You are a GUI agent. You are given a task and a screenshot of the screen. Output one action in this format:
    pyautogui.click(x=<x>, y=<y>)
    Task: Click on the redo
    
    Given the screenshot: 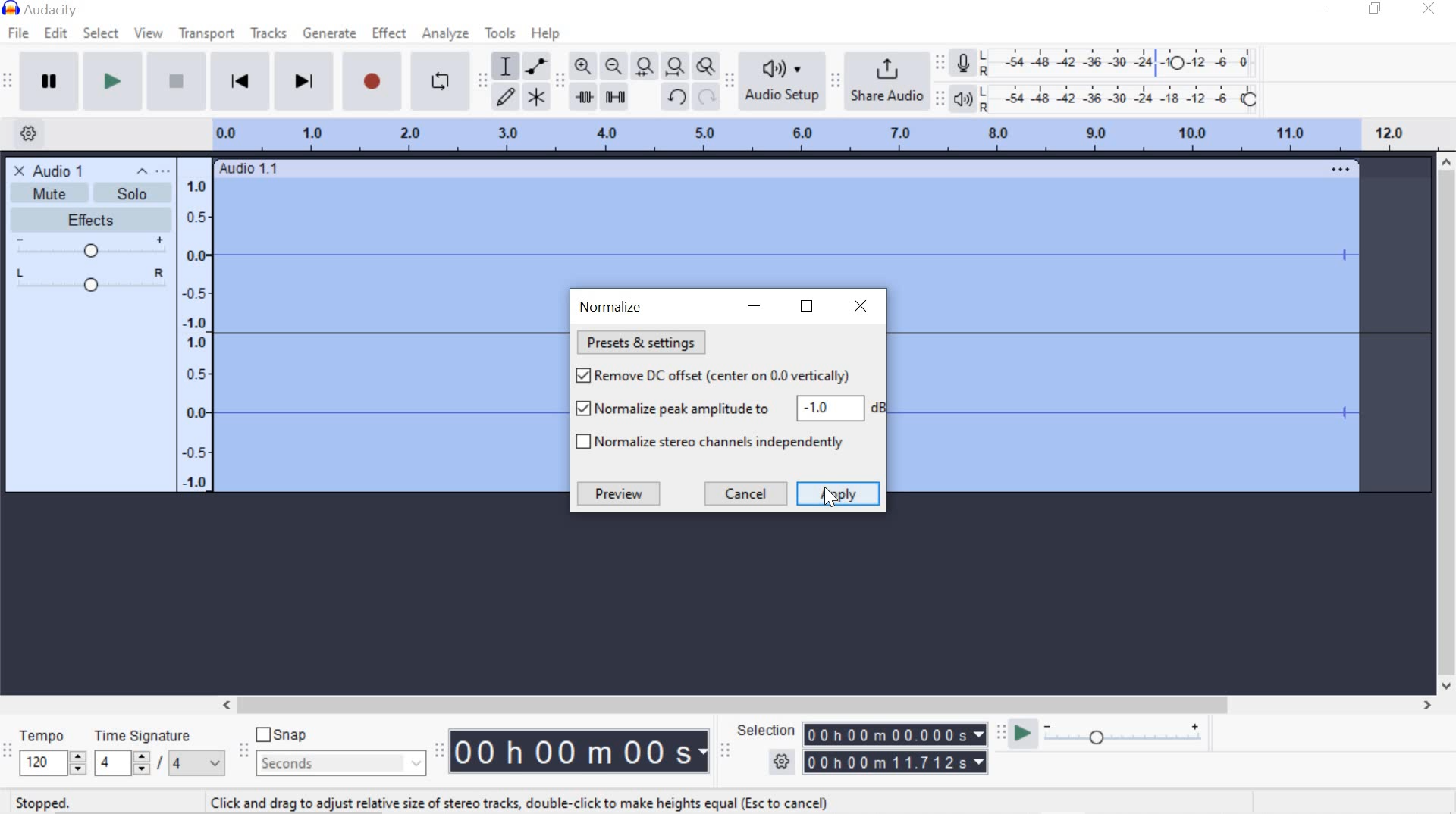 What is the action you would take?
    pyautogui.click(x=707, y=98)
    